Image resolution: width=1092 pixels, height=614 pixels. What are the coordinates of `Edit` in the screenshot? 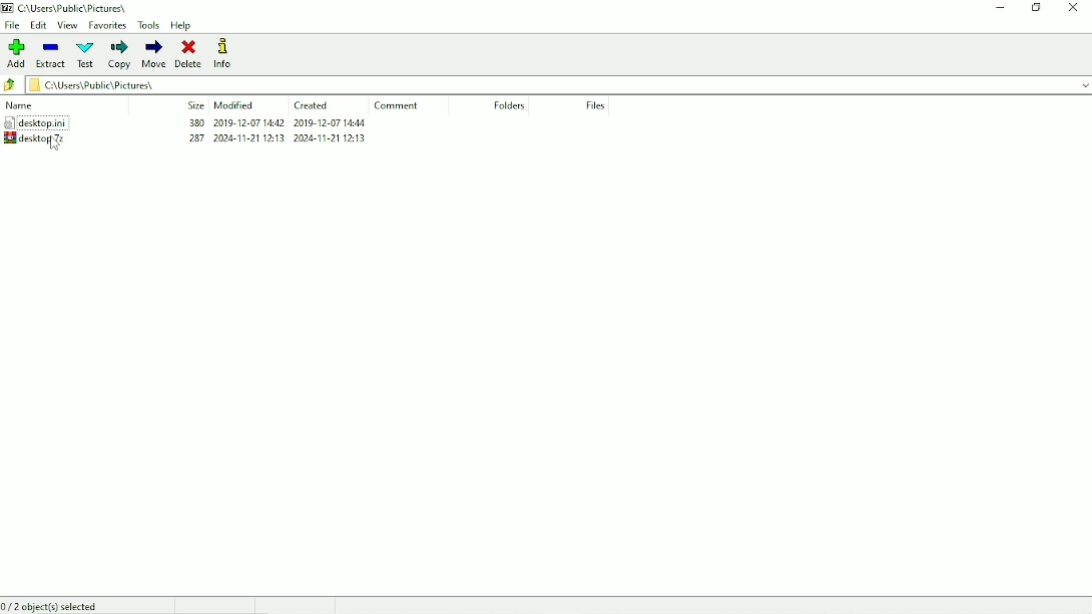 It's located at (39, 25).